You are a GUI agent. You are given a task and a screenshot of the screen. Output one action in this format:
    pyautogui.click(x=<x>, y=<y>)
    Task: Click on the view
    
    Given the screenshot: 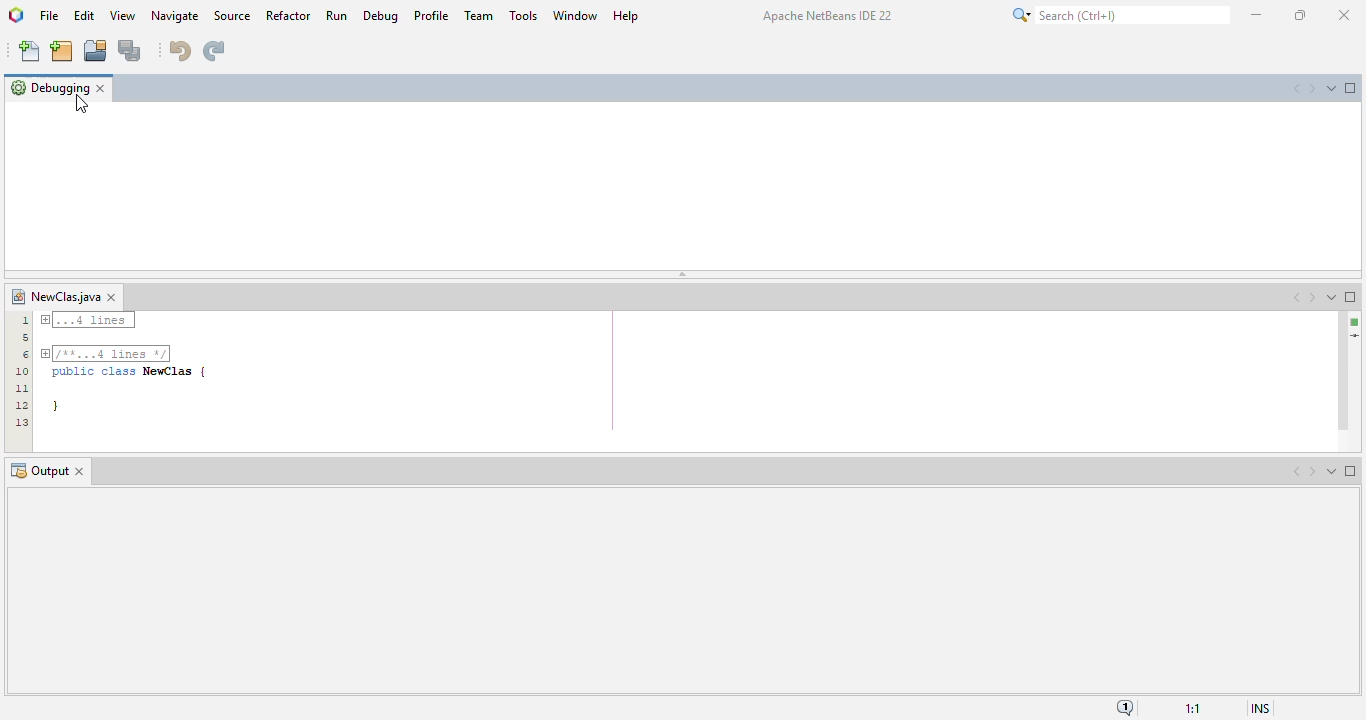 What is the action you would take?
    pyautogui.click(x=123, y=15)
    